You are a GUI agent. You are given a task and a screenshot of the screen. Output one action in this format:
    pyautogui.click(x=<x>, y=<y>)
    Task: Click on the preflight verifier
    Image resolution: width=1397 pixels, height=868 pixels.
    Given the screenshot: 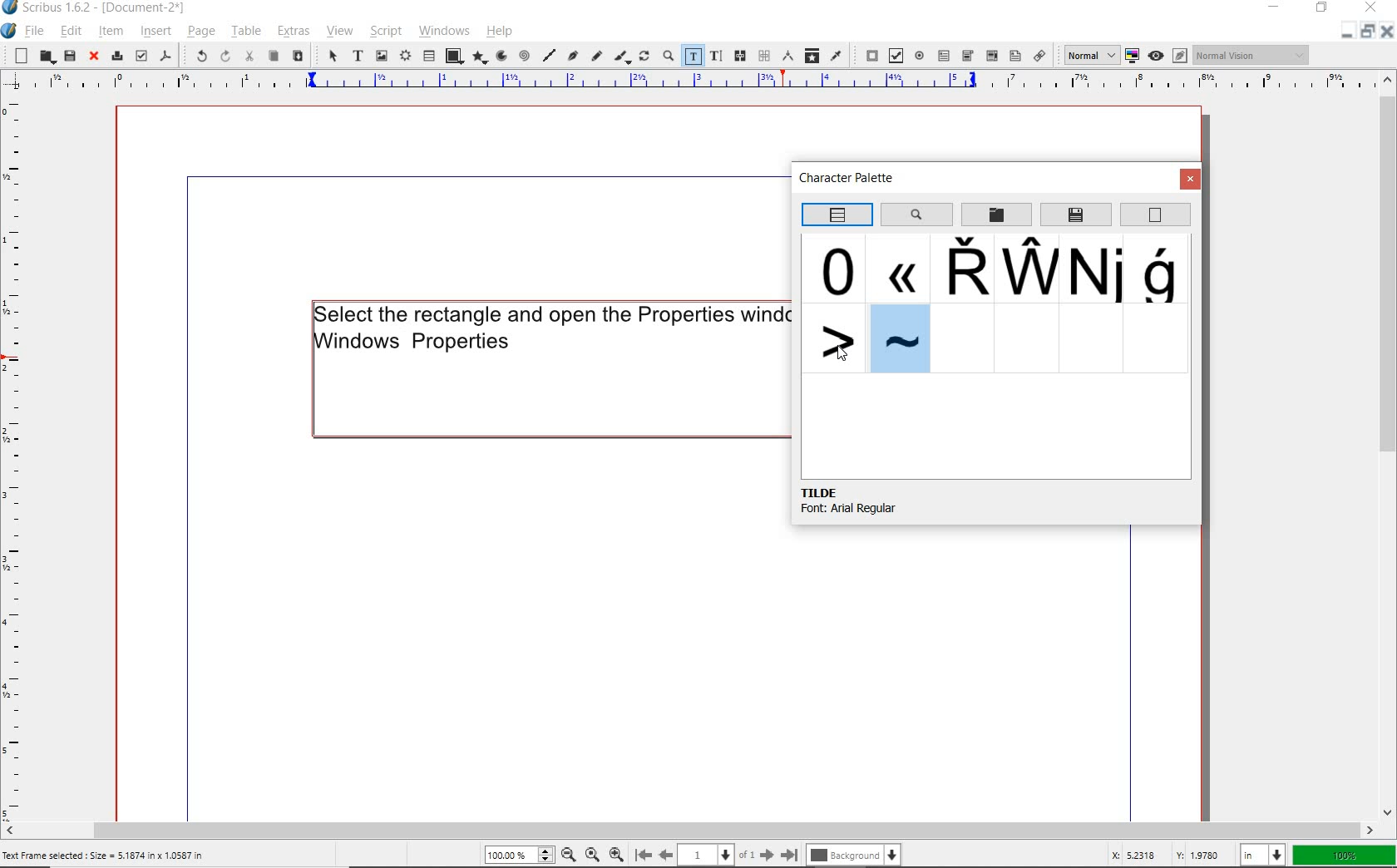 What is the action you would take?
    pyautogui.click(x=141, y=56)
    